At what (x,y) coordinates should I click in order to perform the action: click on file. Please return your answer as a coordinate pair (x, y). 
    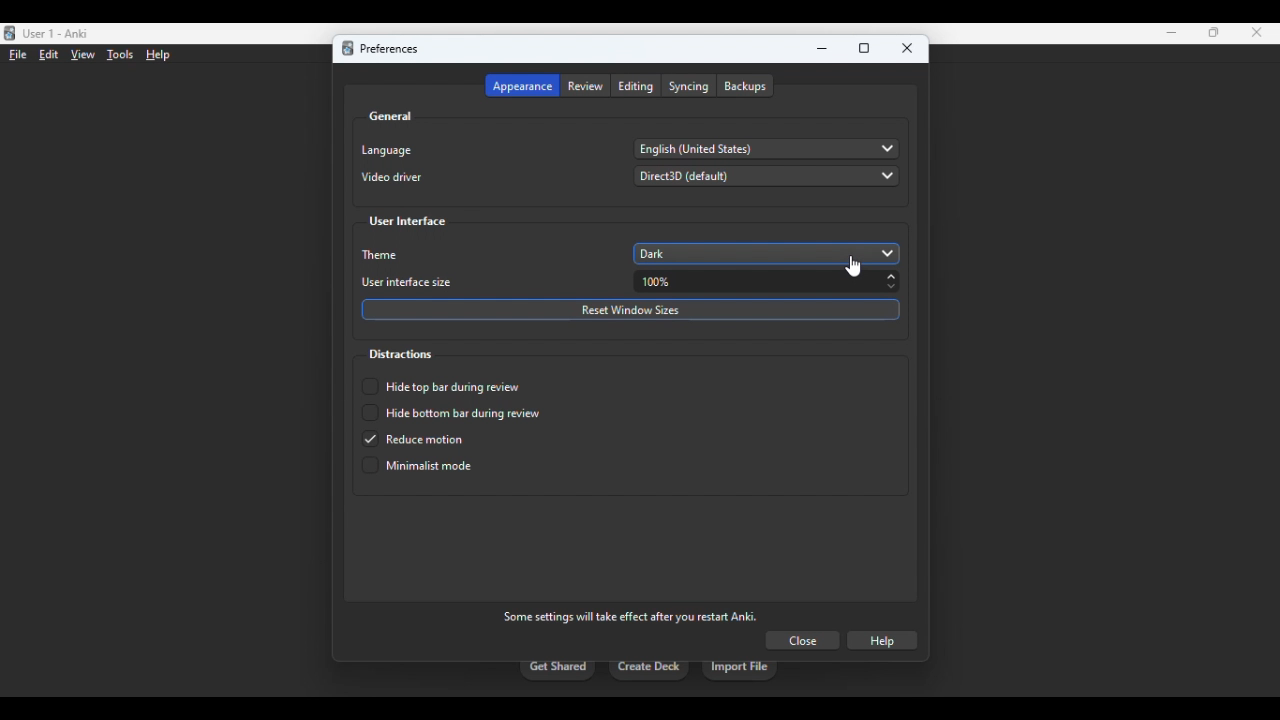
    Looking at the image, I should click on (18, 55).